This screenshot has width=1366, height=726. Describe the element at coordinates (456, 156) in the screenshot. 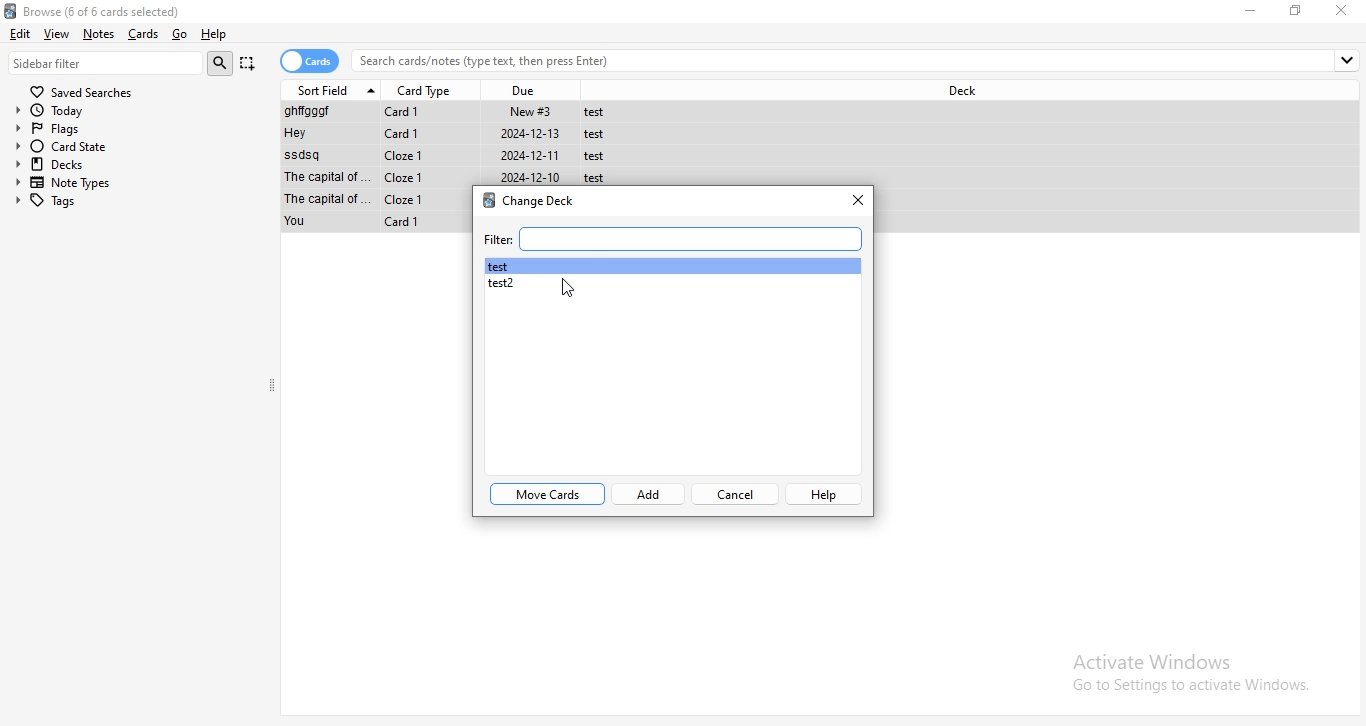

I see `File` at that location.